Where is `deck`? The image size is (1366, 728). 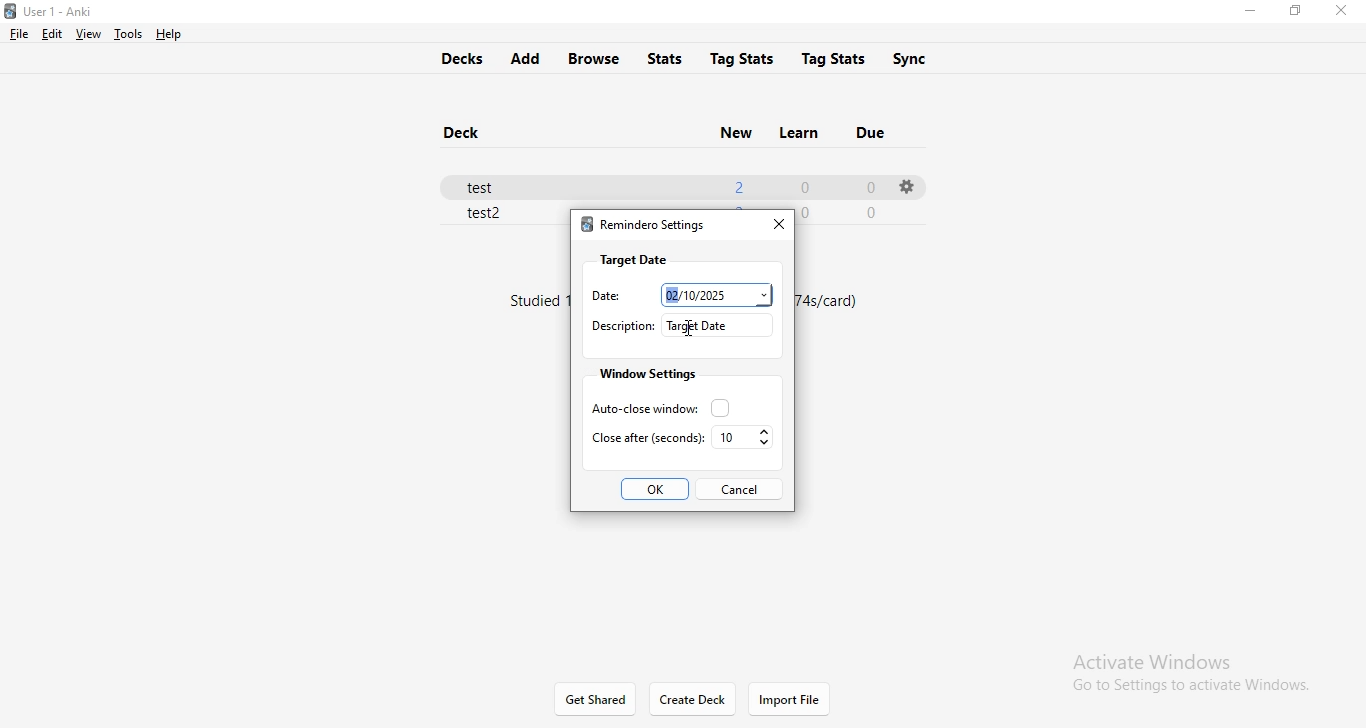
deck is located at coordinates (467, 134).